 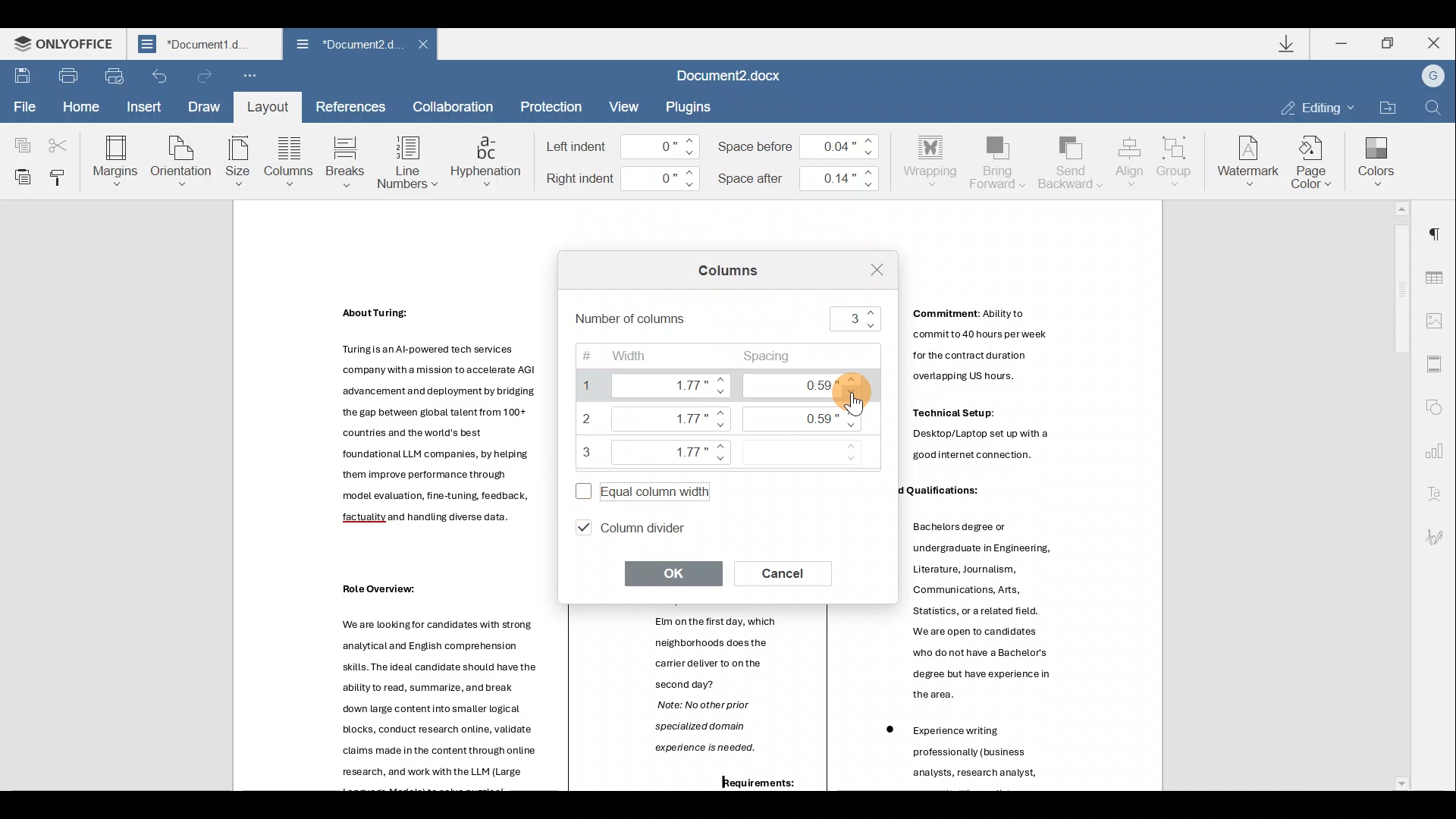 I want to click on Downloads, so click(x=1288, y=45).